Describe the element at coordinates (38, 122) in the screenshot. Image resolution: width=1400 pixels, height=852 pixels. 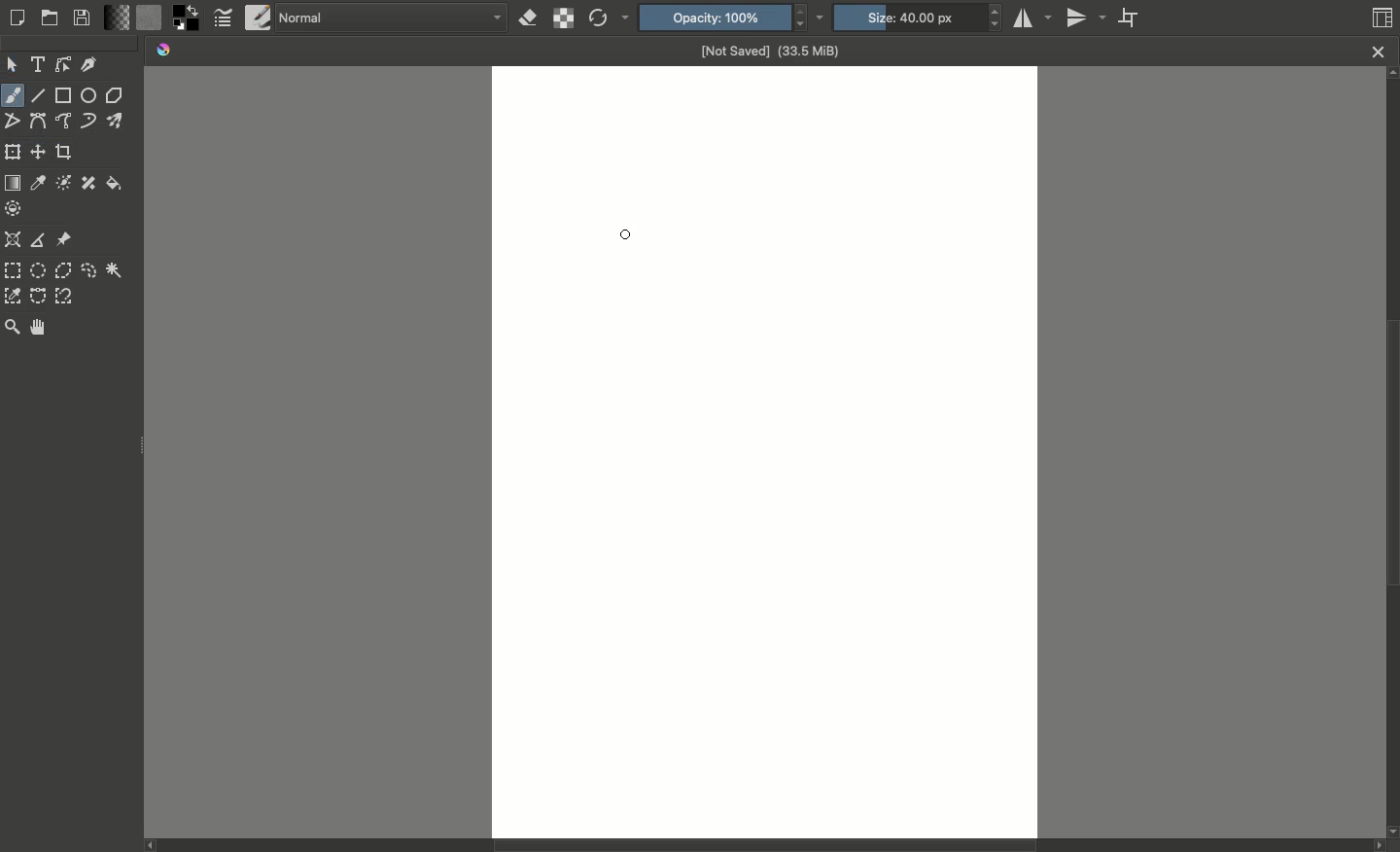
I see `Bezier curve` at that location.